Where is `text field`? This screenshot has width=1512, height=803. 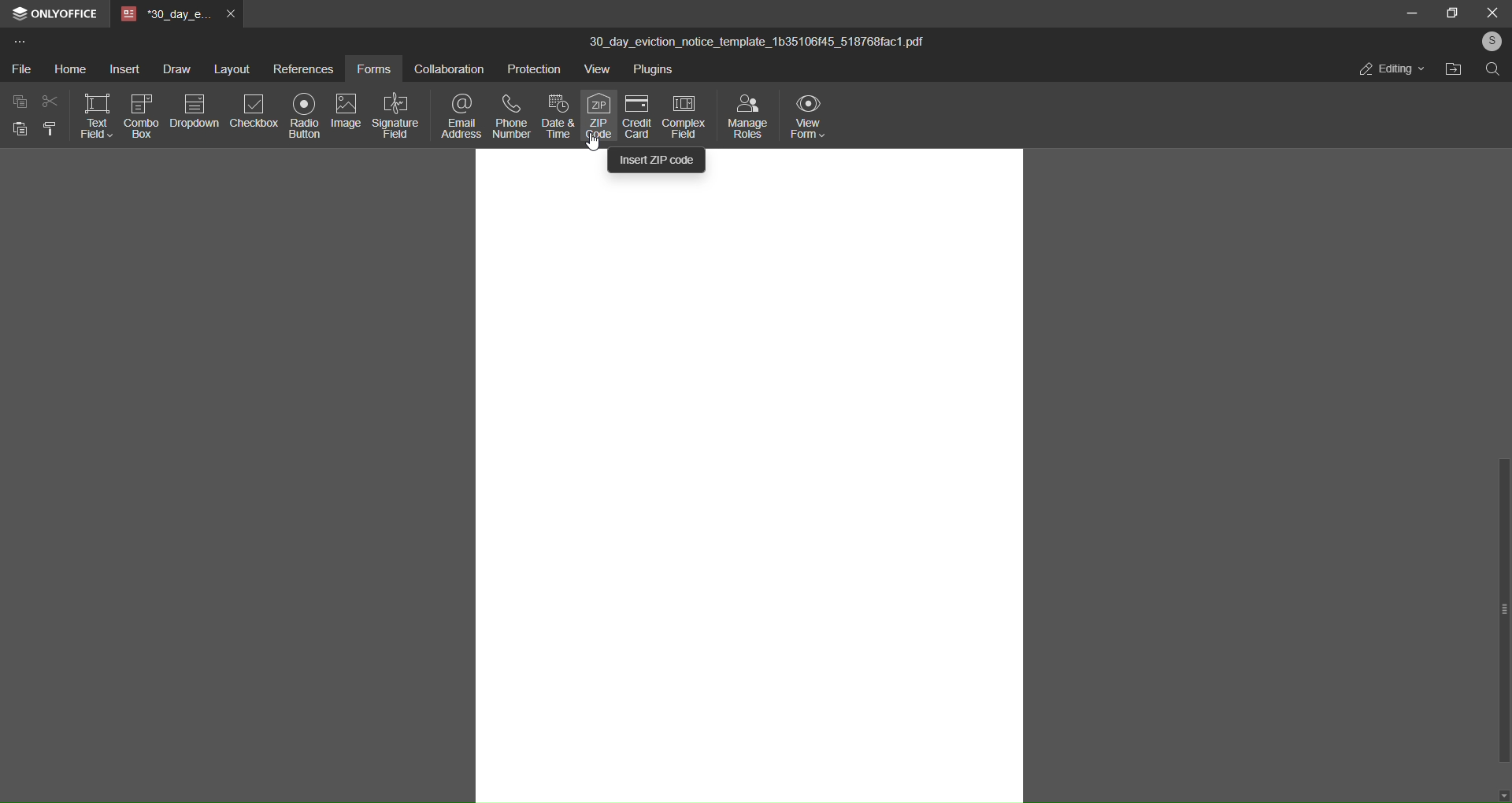
text field is located at coordinates (98, 113).